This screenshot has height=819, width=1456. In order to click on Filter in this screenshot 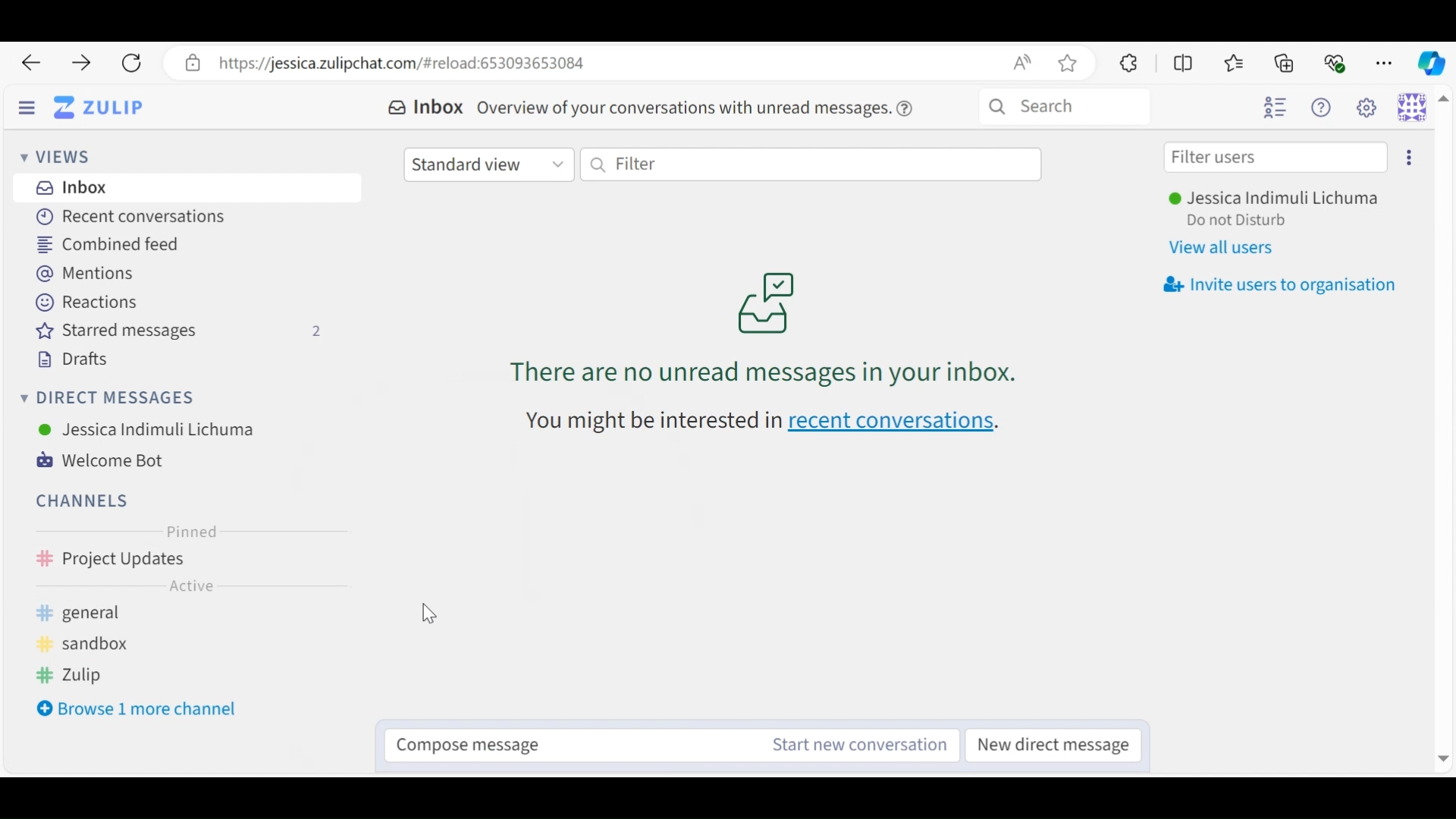, I will do `click(811, 163)`.